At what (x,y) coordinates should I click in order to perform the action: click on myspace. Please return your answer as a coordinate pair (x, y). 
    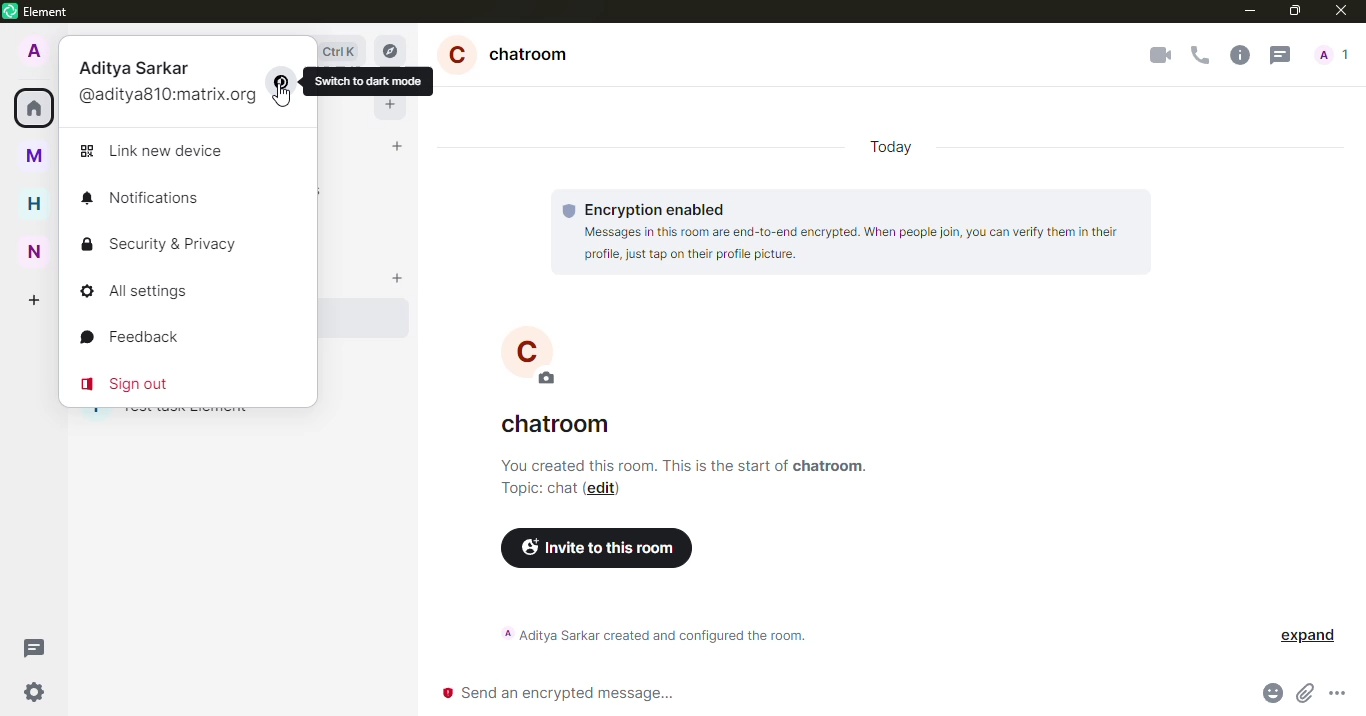
    Looking at the image, I should click on (33, 151).